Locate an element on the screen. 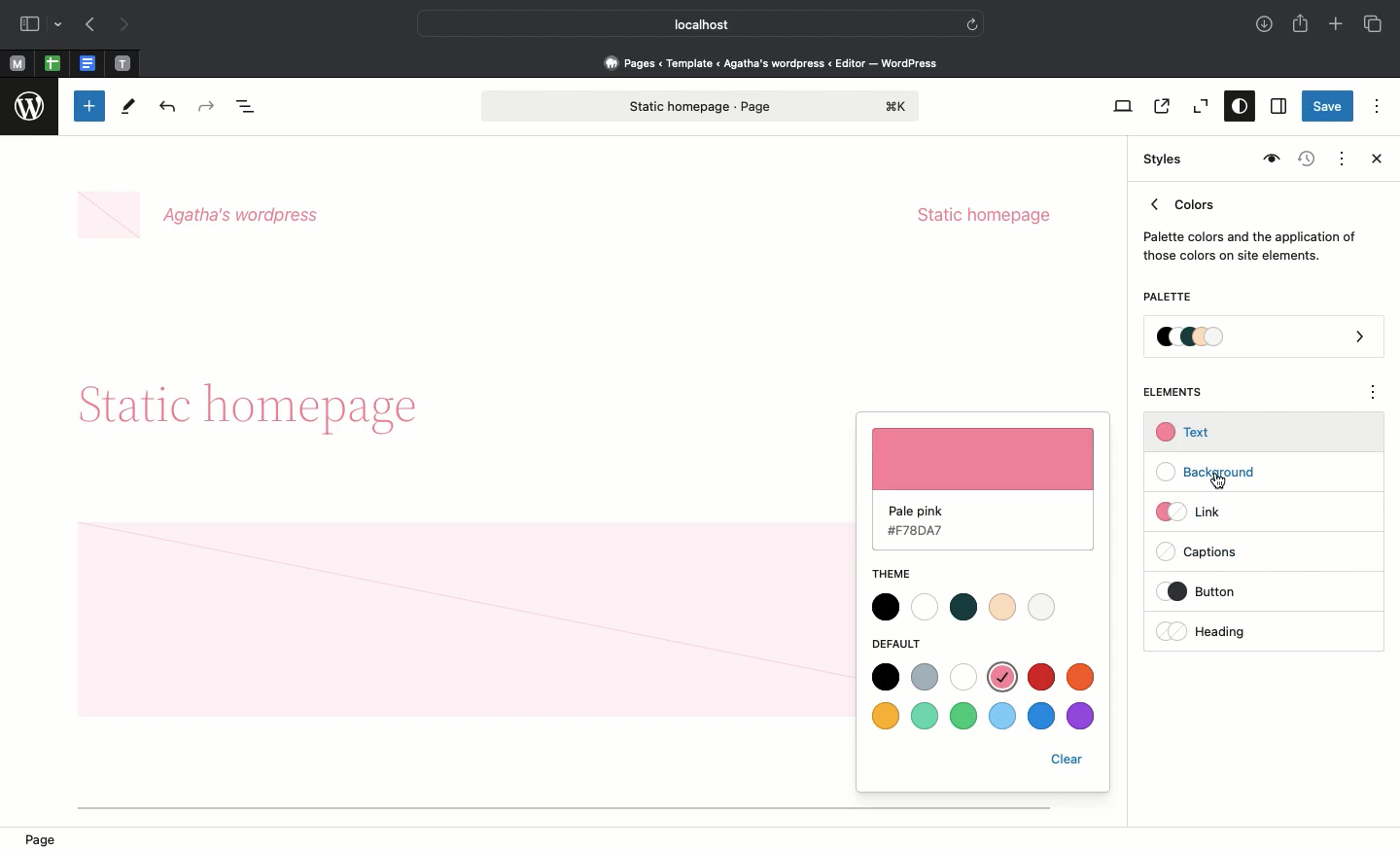 Image resolution: width=1400 pixels, height=850 pixels. Toggle blocker is located at coordinates (89, 106).